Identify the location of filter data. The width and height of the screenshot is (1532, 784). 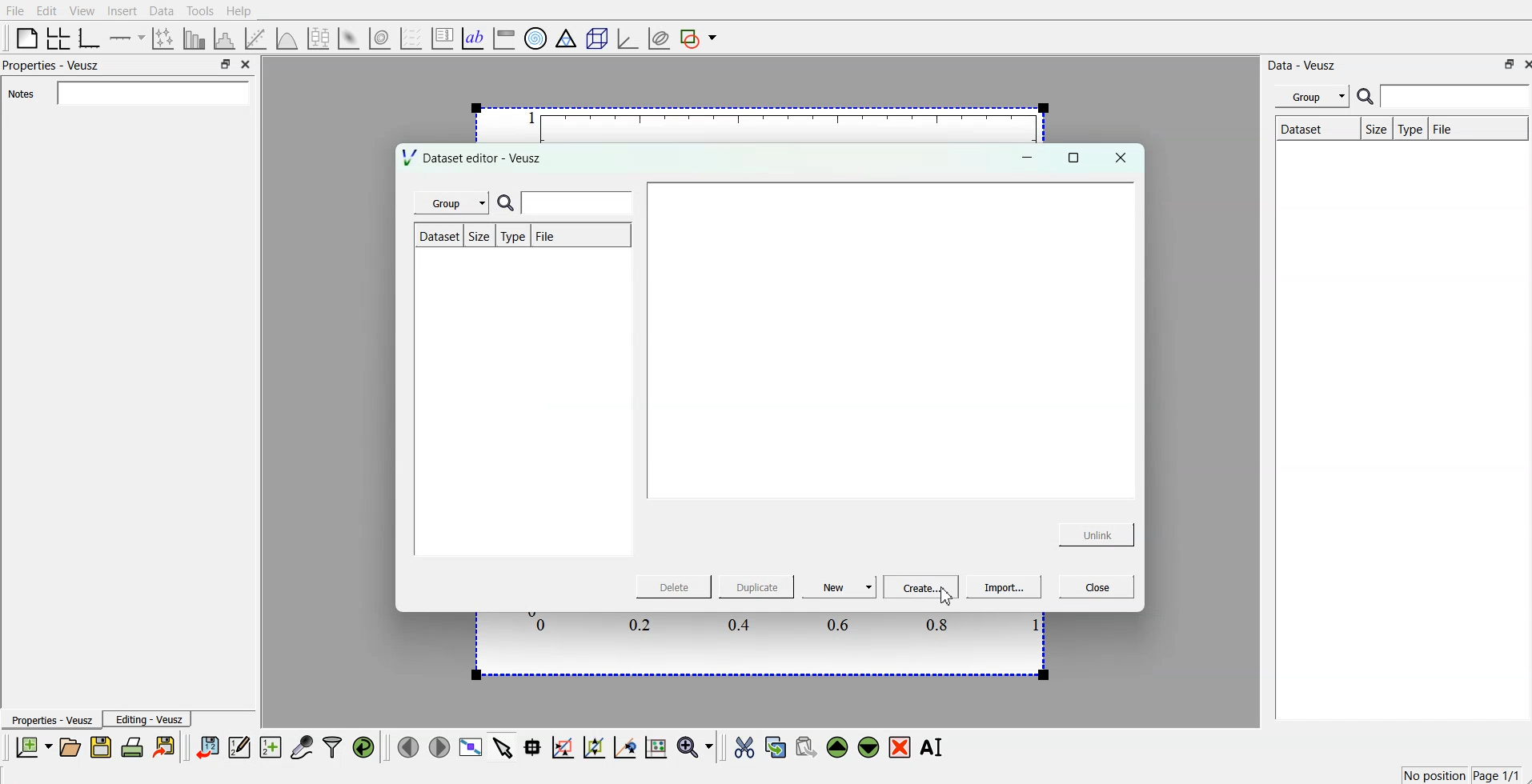
(332, 747).